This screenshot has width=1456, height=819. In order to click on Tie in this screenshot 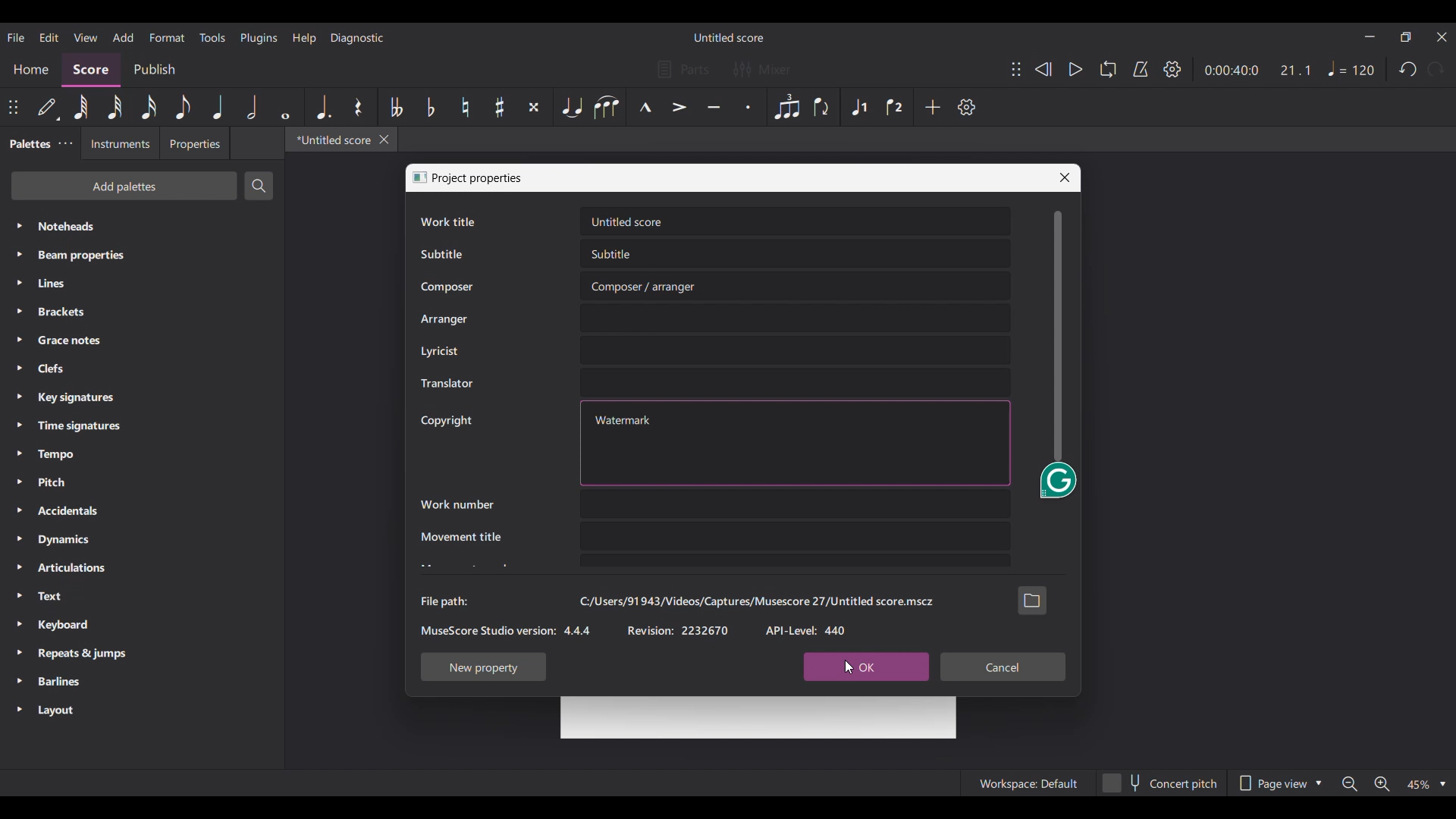, I will do `click(571, 107)`.